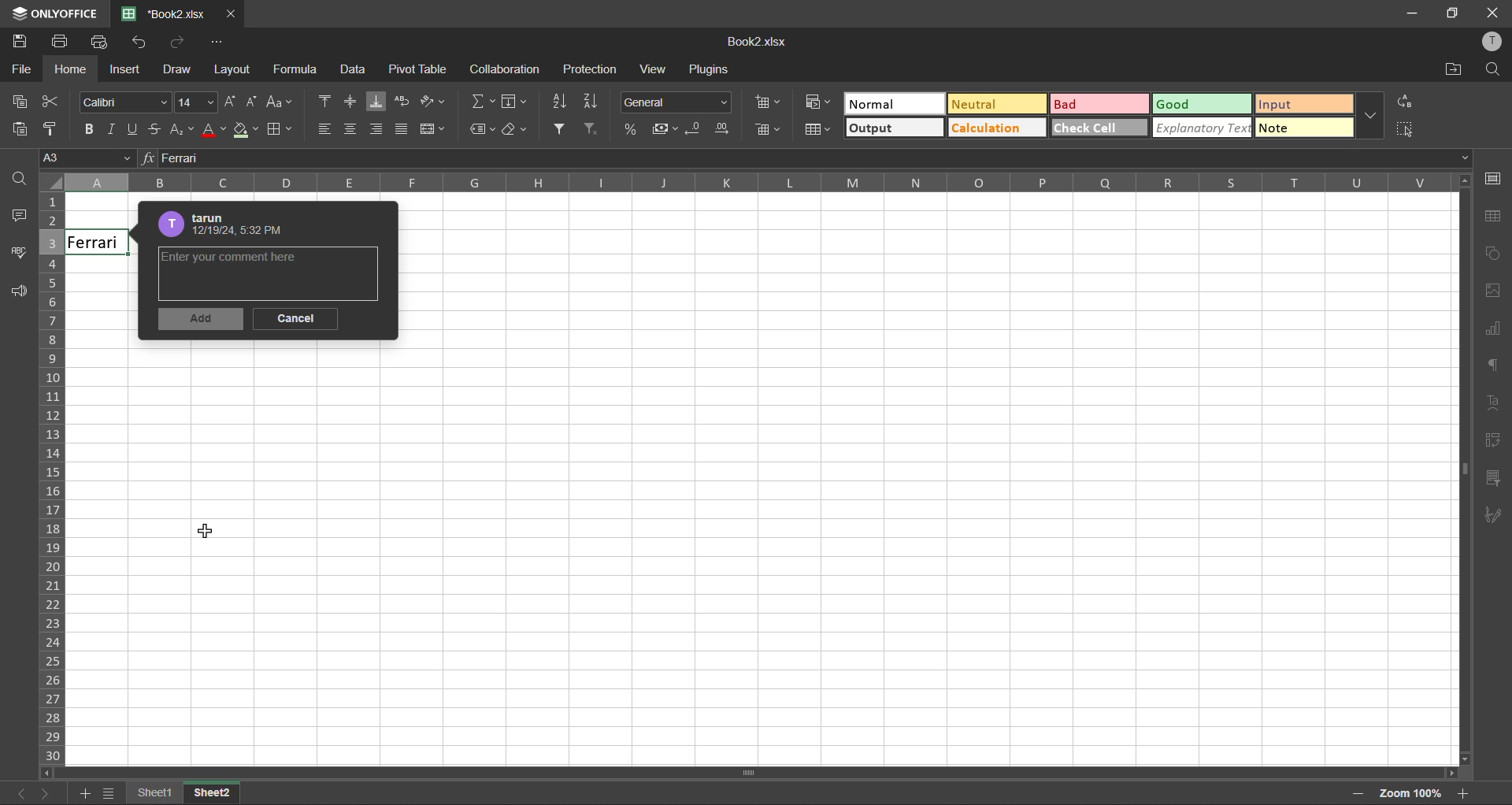 The image size is (1512, 805). Describe the element at coordinates (1493, 11) in the screenshot. I see `Close ` at that location.